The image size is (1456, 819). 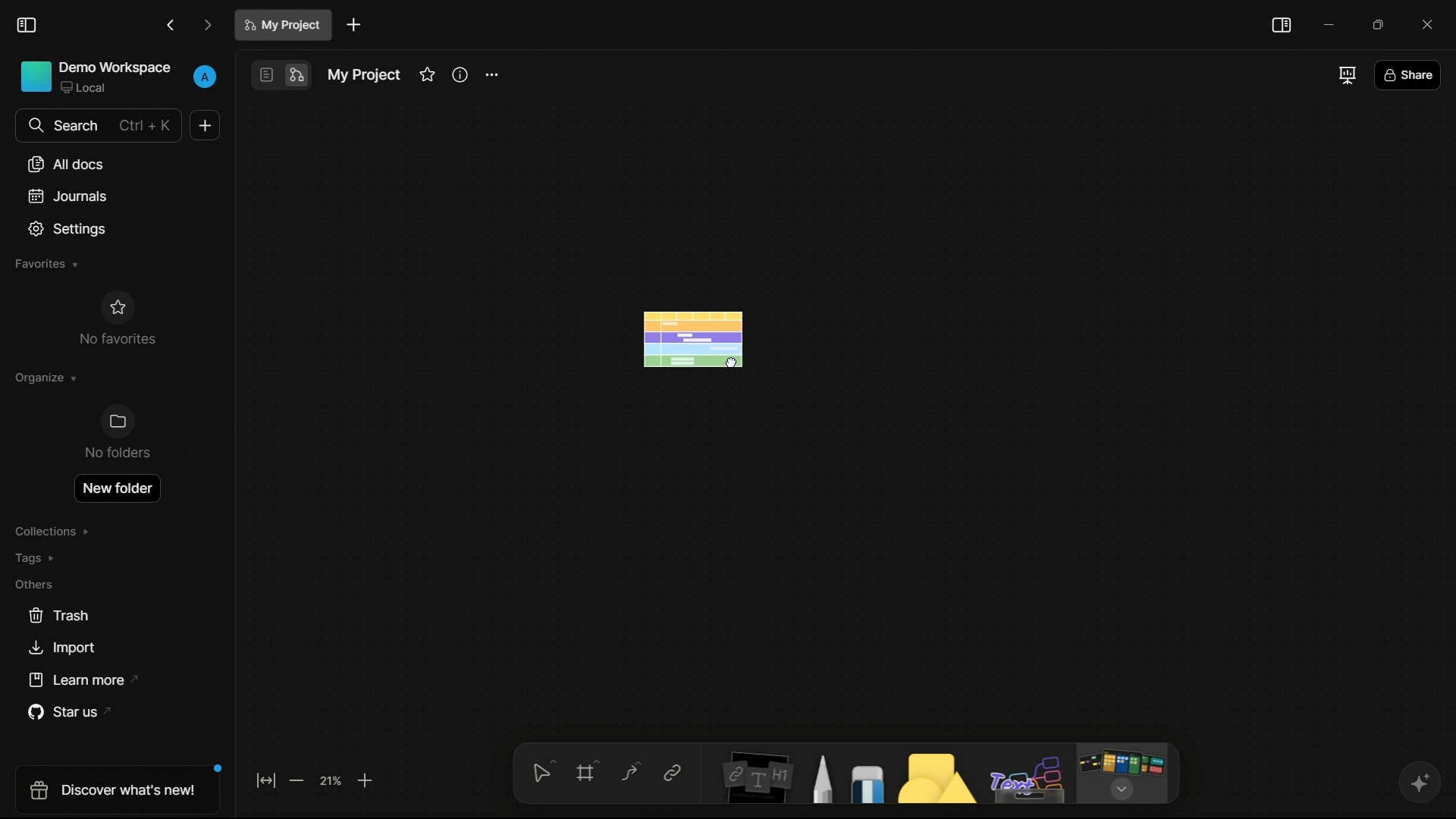 I want to click on document name, so click(x=364, y=77).